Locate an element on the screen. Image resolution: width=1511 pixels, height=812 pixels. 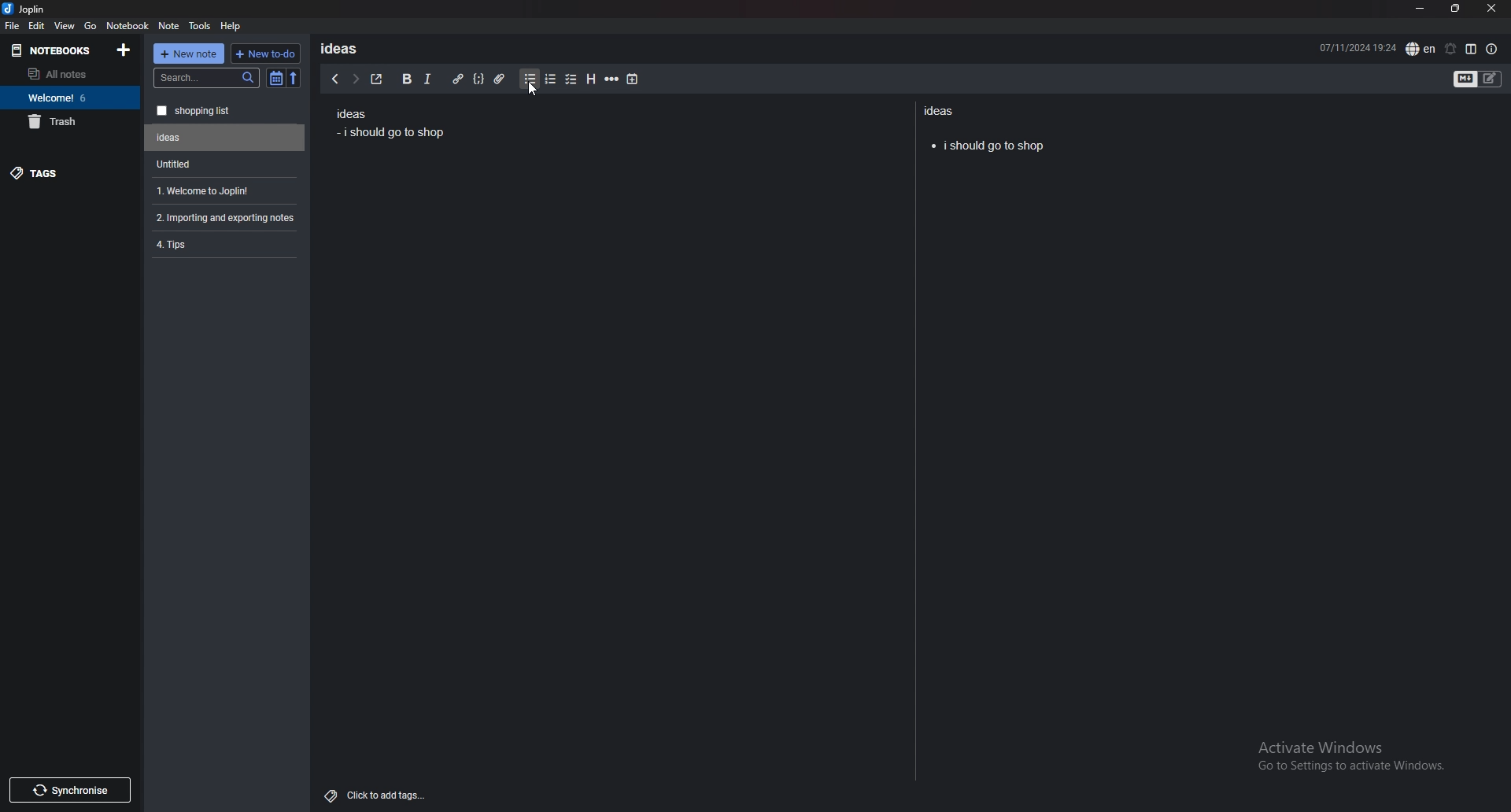
view is located at coordinates (65, 25).